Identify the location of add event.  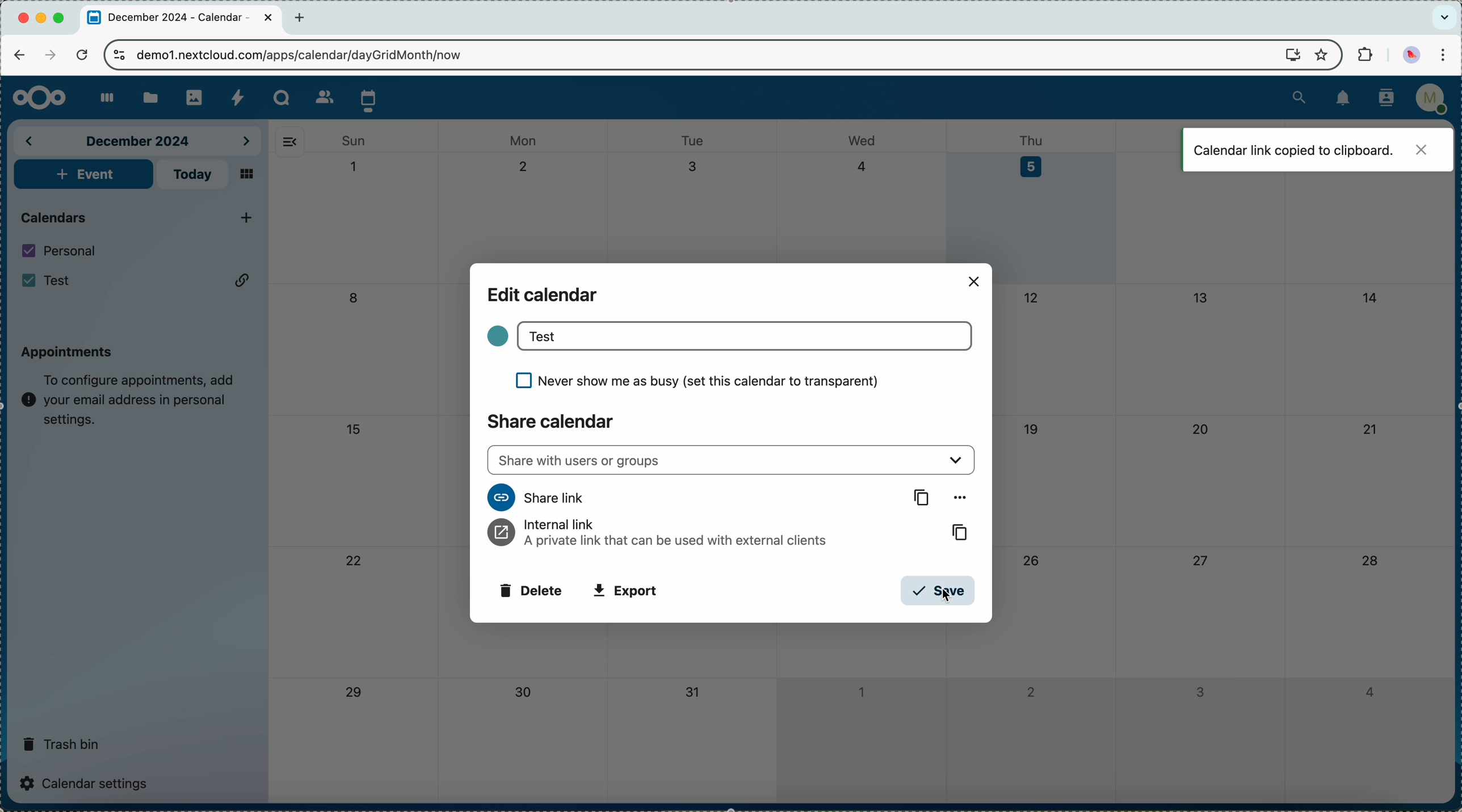
(83, 174).